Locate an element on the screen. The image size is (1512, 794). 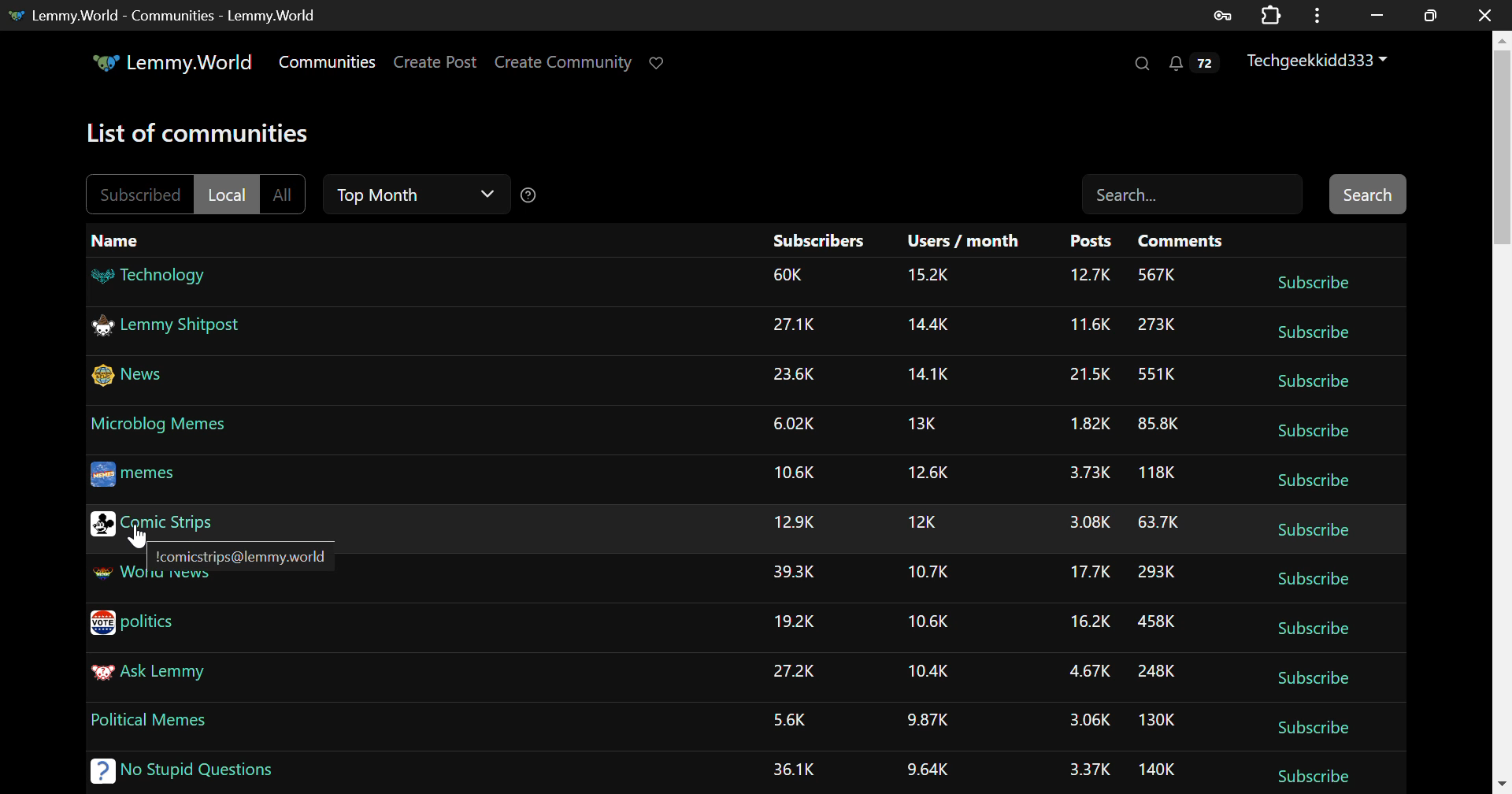
Subscribe is located at coordinates (1313, 282).